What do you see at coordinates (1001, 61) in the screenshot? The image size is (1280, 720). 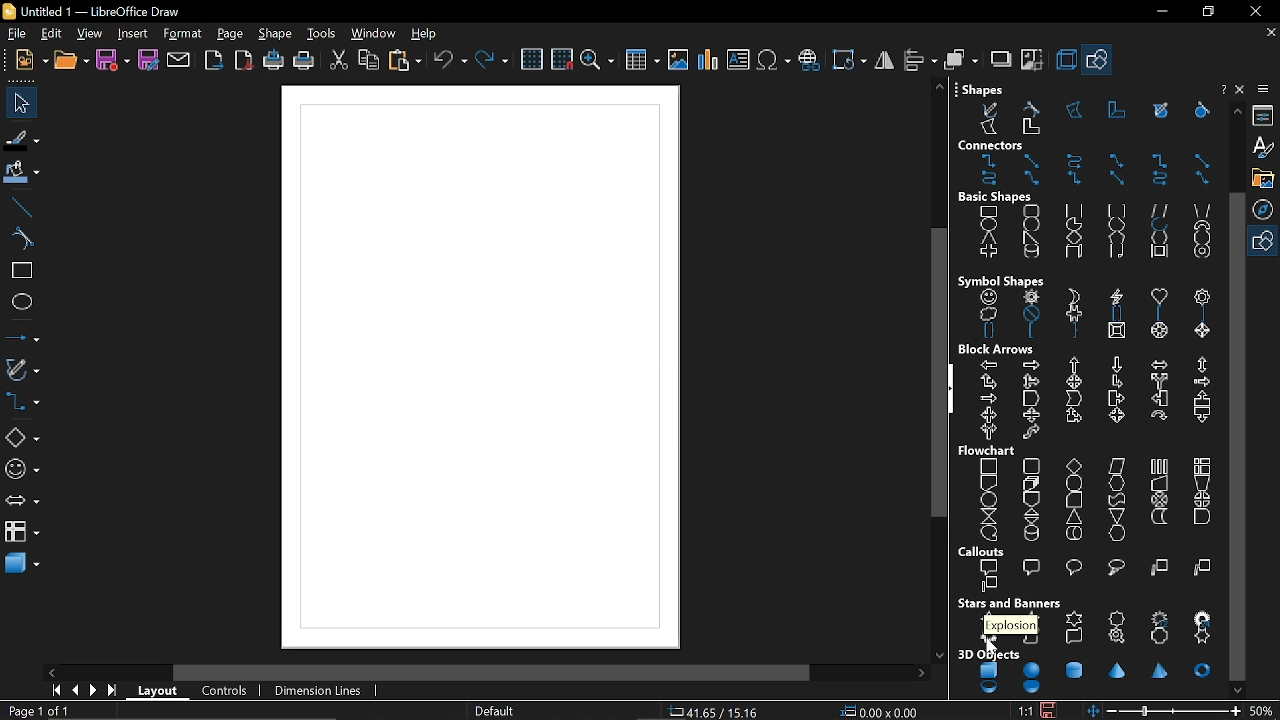 I see `shadow` at bounding box center [1001, 61].